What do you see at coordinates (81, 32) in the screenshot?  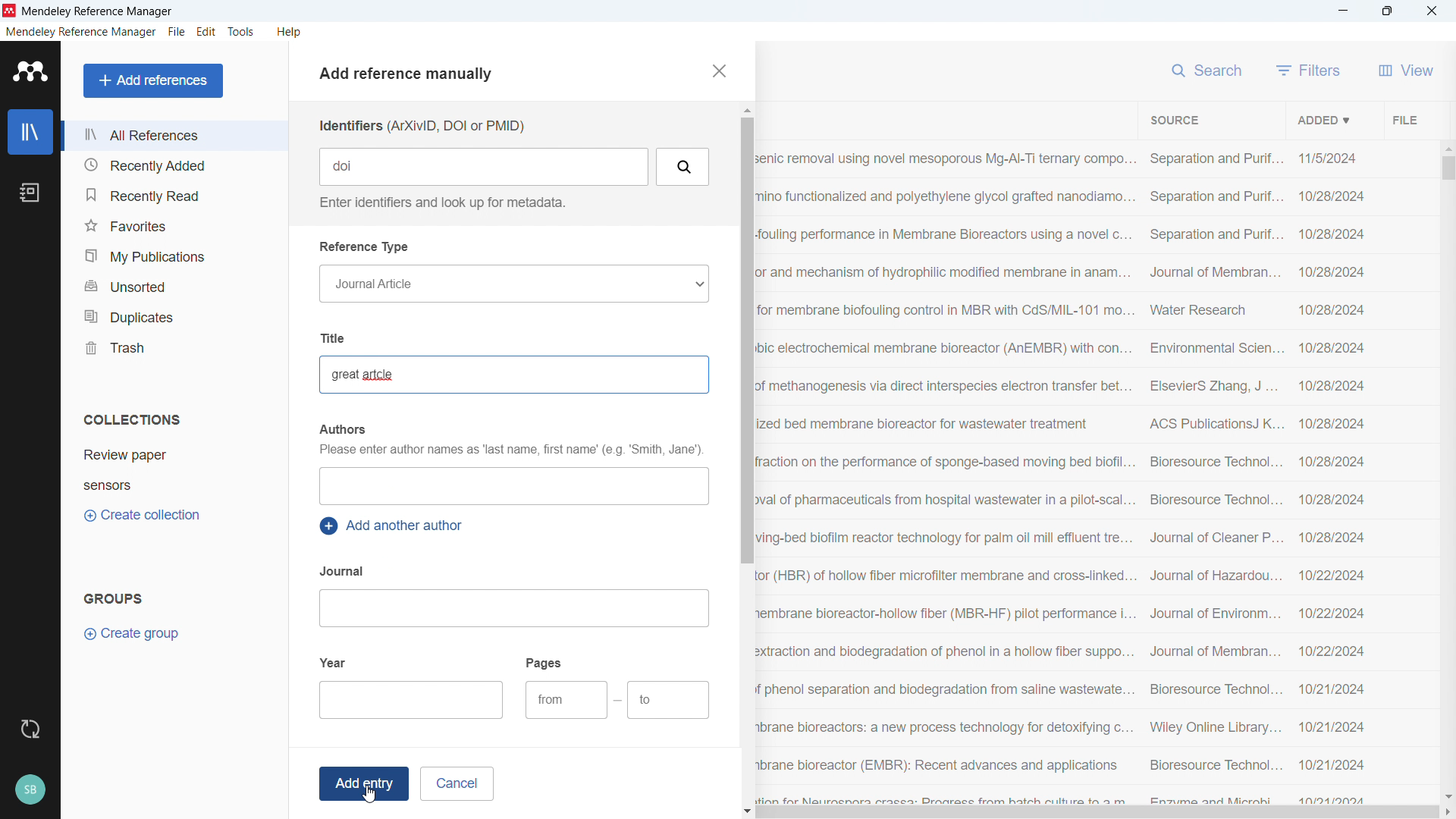 I see `Mendeley reference manager ` at bounding box center [81, 32].